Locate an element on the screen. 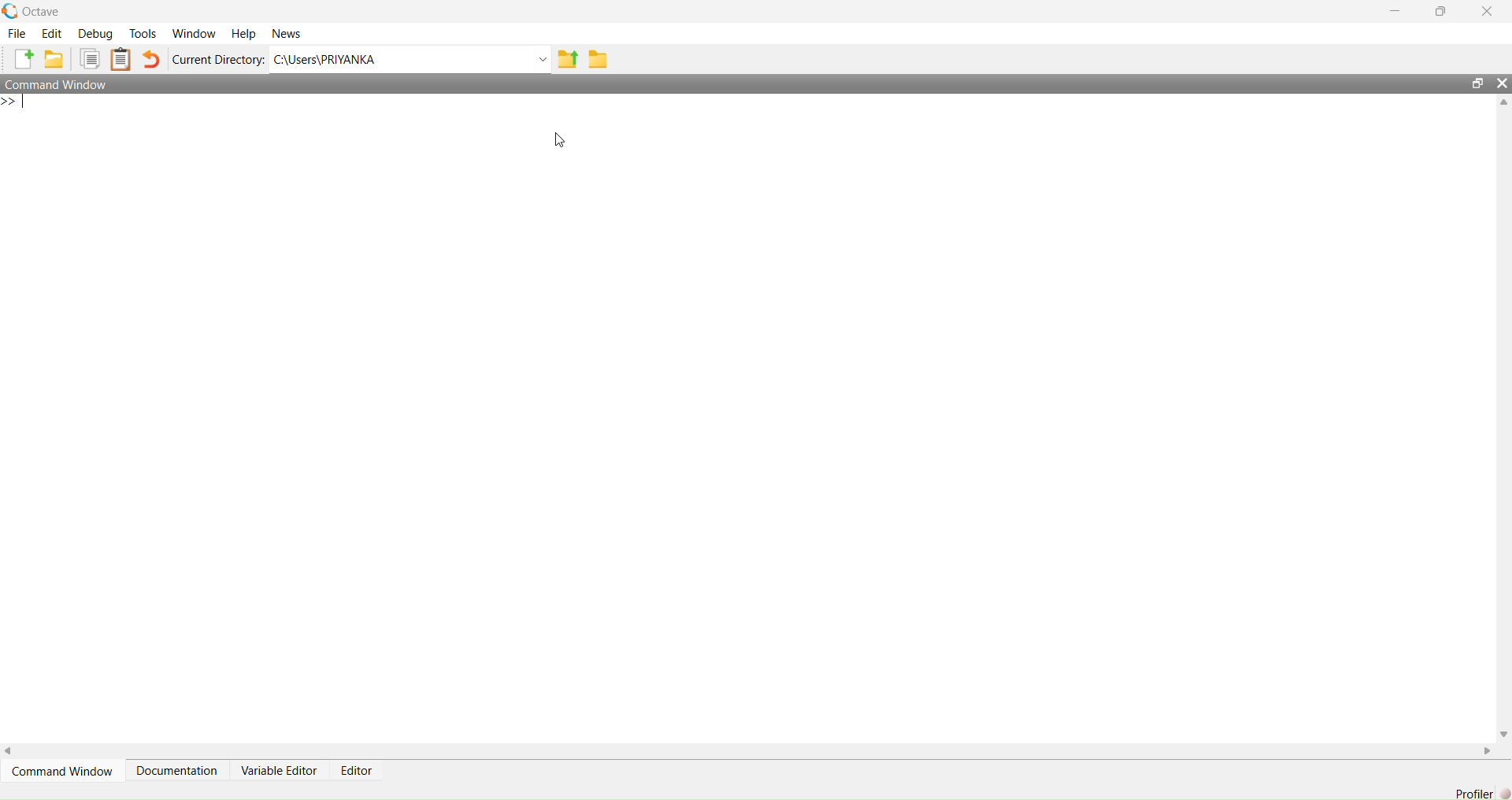 This screenshot has width=1512, height=800. Variable Editor is located at coordinates (278, 771).